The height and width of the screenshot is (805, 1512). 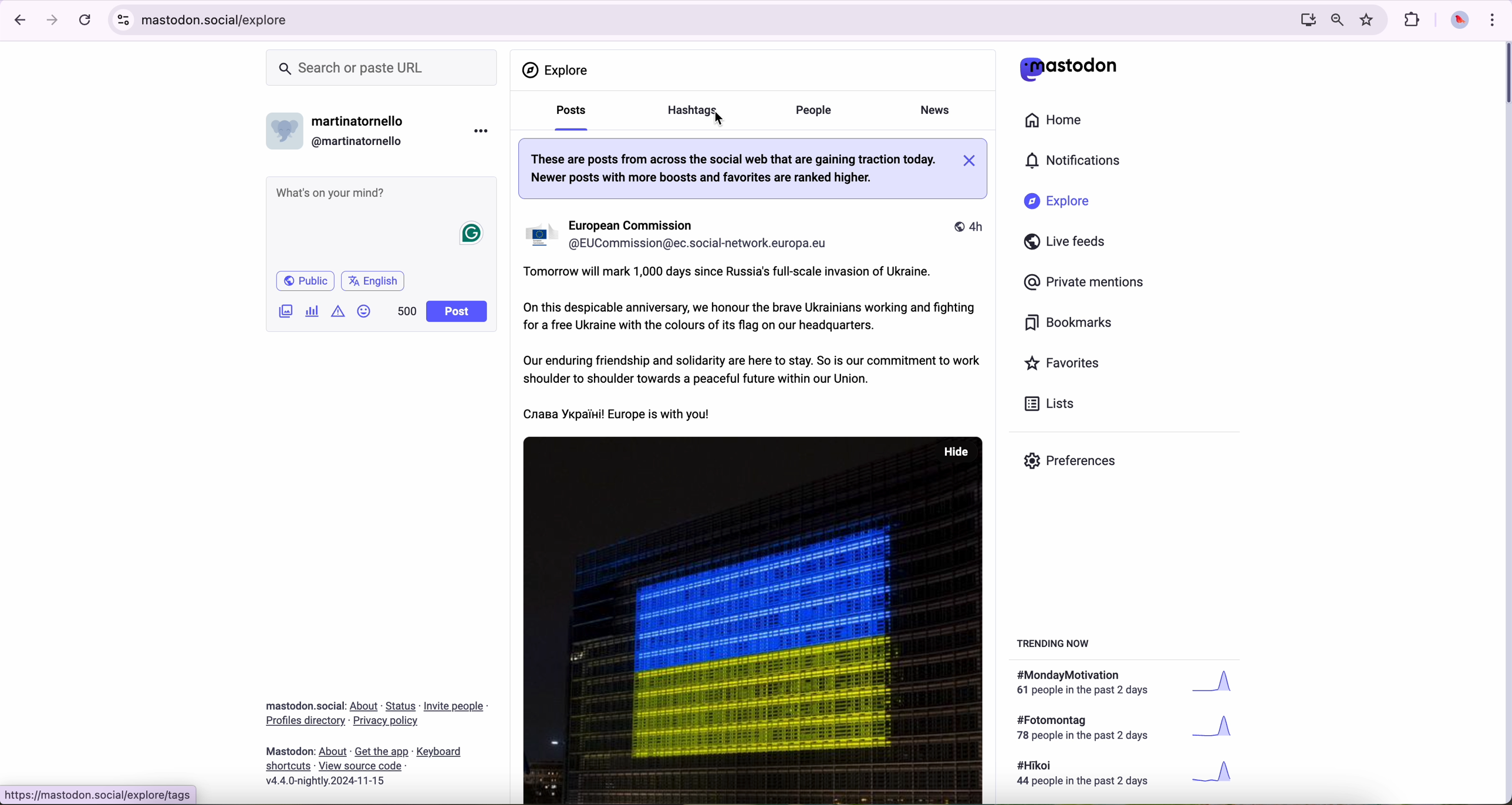 I want to click on version, so click(x=325, y=782).